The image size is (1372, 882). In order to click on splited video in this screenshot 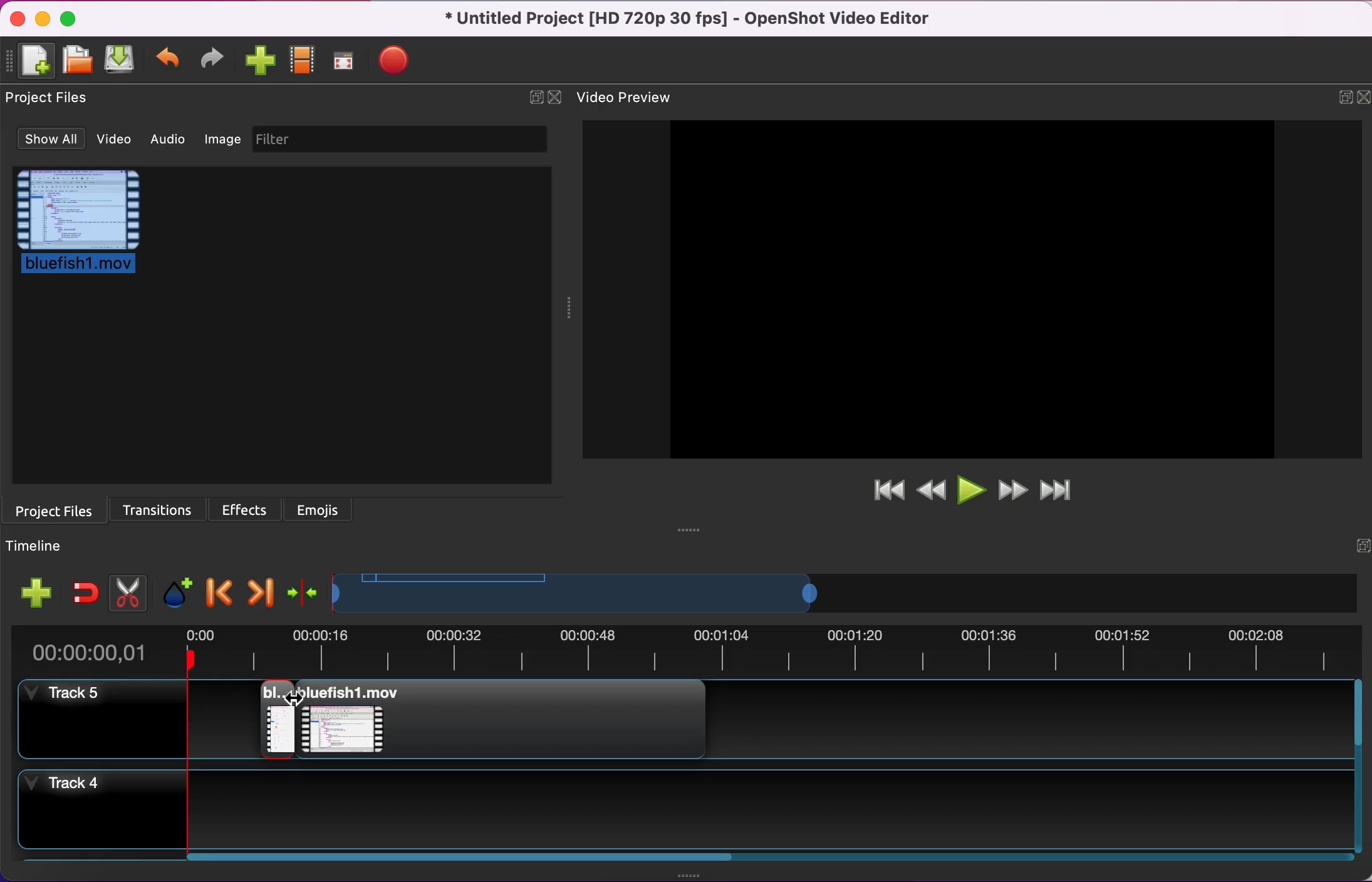, I will do `click(479, 716)`.